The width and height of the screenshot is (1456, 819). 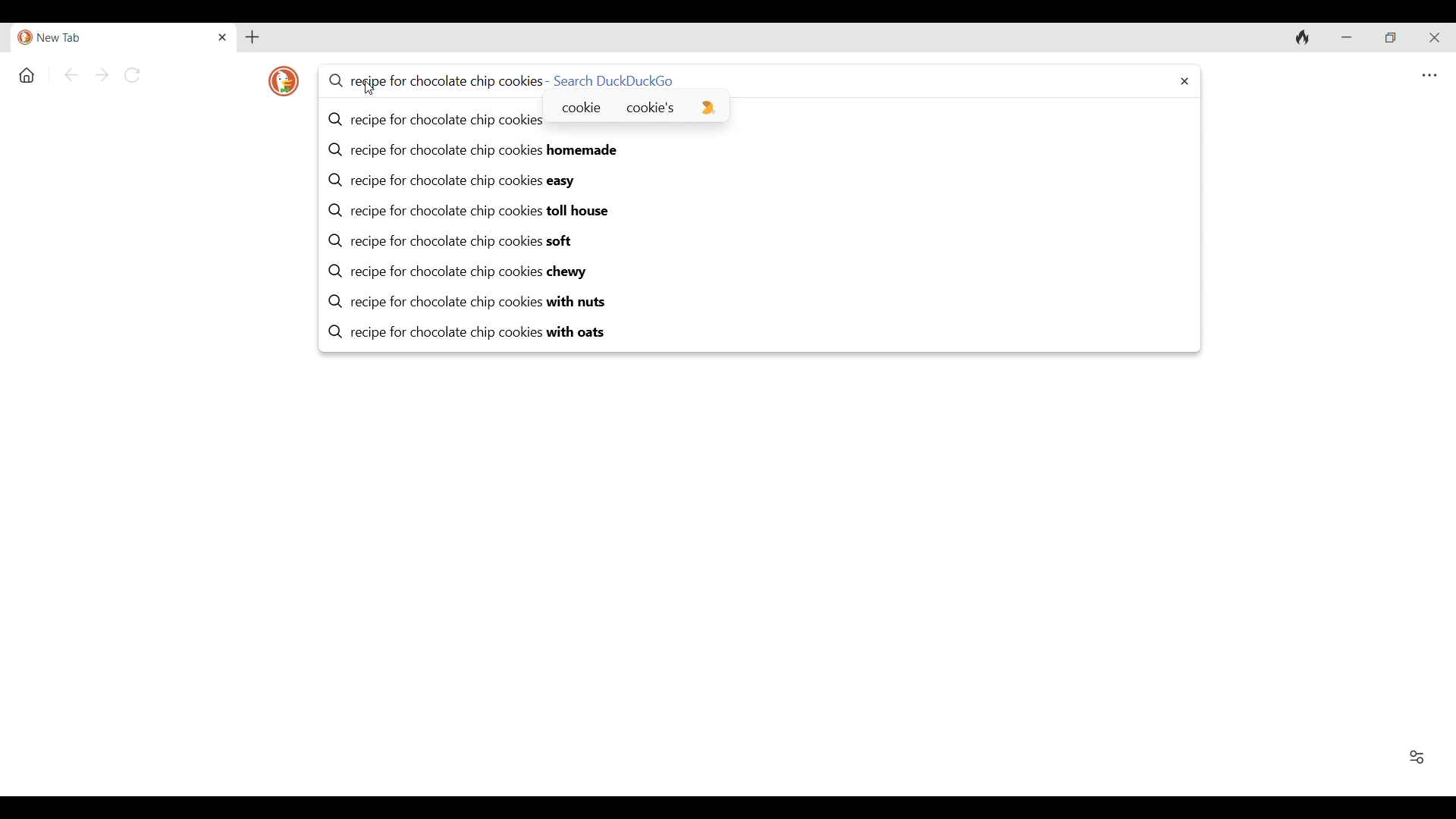 I want to click on Browser settings, so click(x=1429, y=76).